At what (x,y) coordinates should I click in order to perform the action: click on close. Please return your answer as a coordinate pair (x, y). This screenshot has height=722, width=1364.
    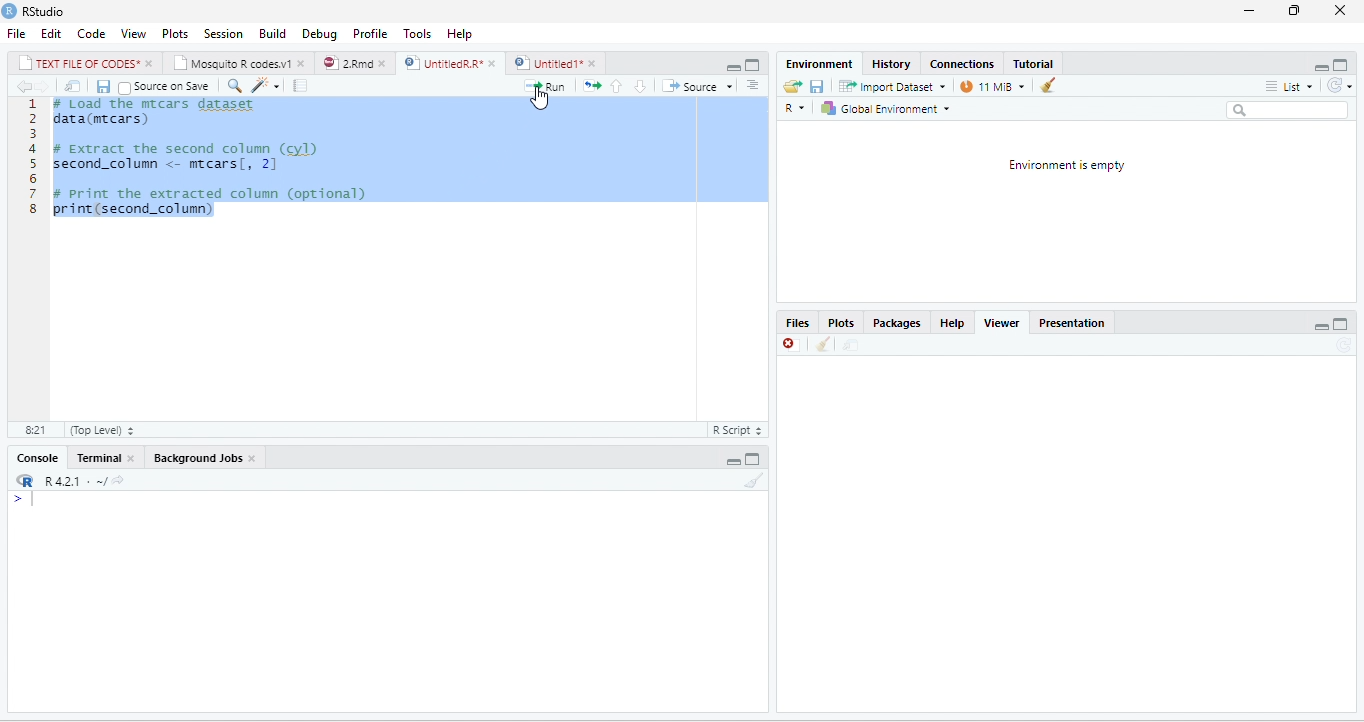
    Looking at the image, I should click on (304, 63).